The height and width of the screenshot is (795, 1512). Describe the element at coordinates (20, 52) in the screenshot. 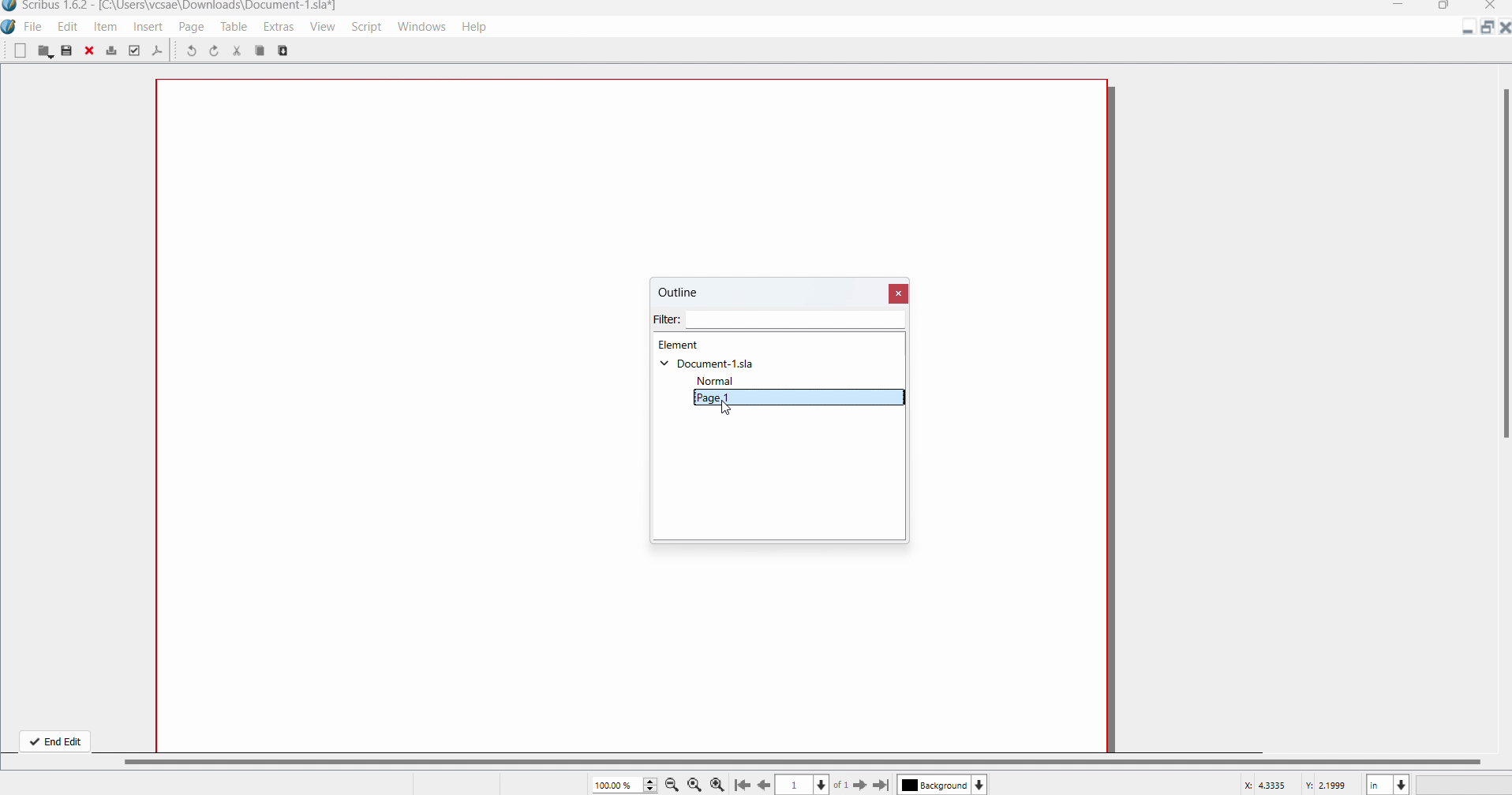

I see `blank` at that location.